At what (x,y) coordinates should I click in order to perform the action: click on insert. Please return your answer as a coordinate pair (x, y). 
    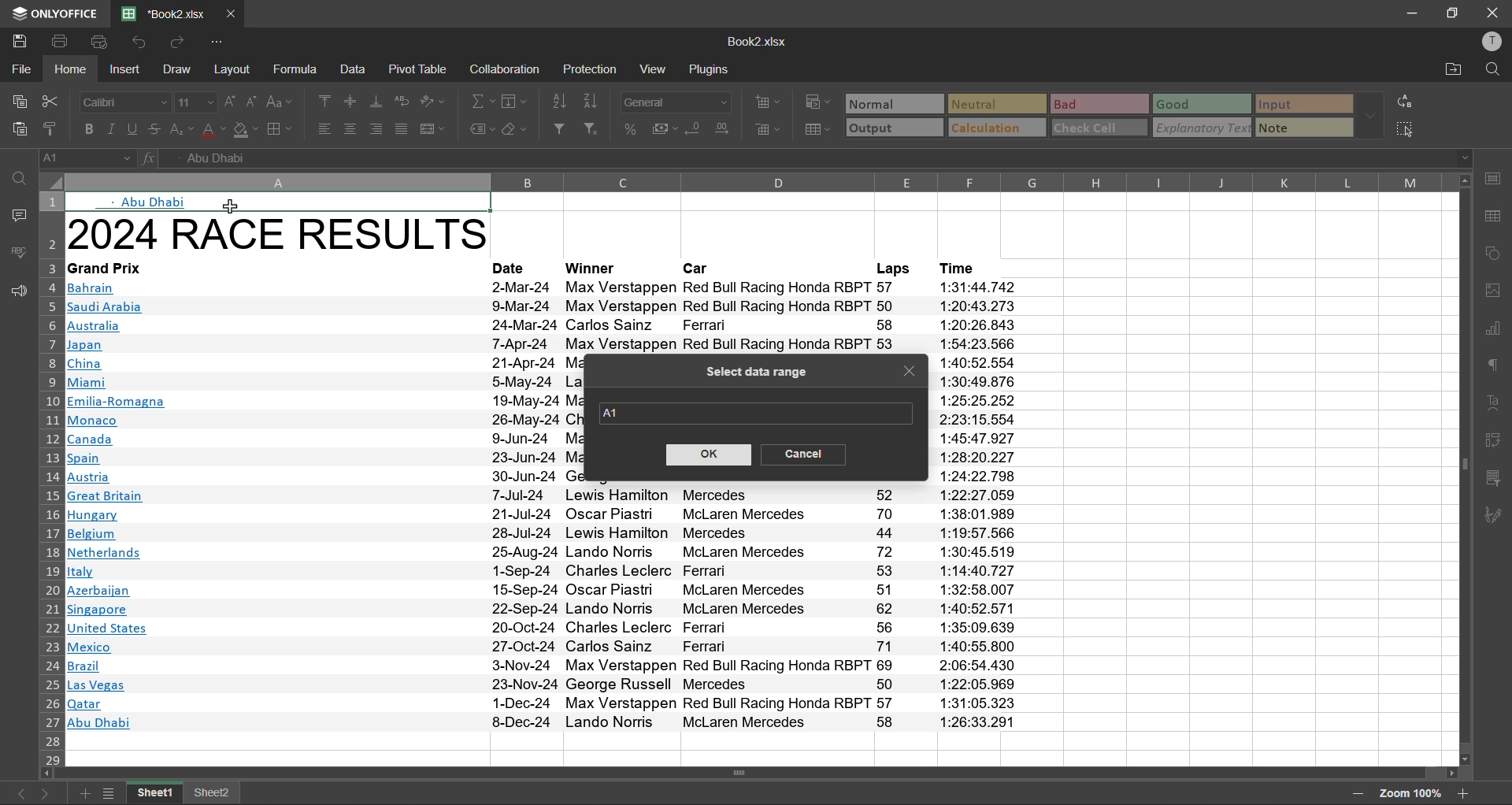
    Looking at the image, I should click on (122, 69).